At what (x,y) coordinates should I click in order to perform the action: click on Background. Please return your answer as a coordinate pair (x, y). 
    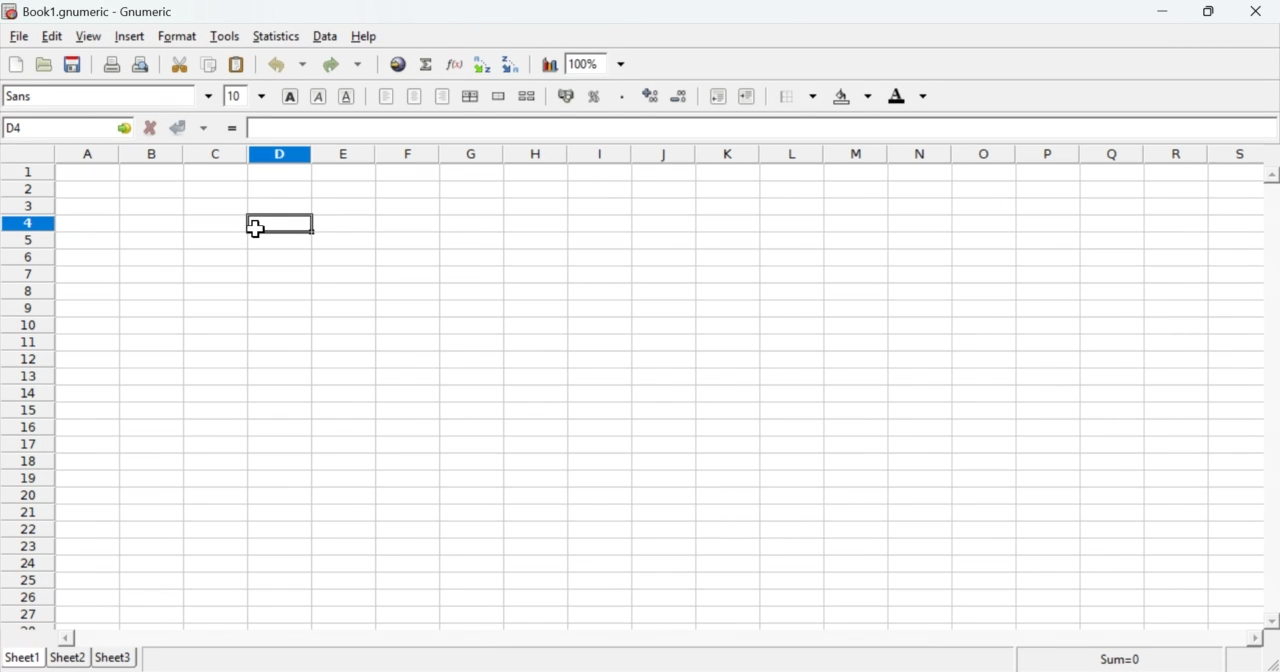
    Looking at the image, I should click on (851, 98).